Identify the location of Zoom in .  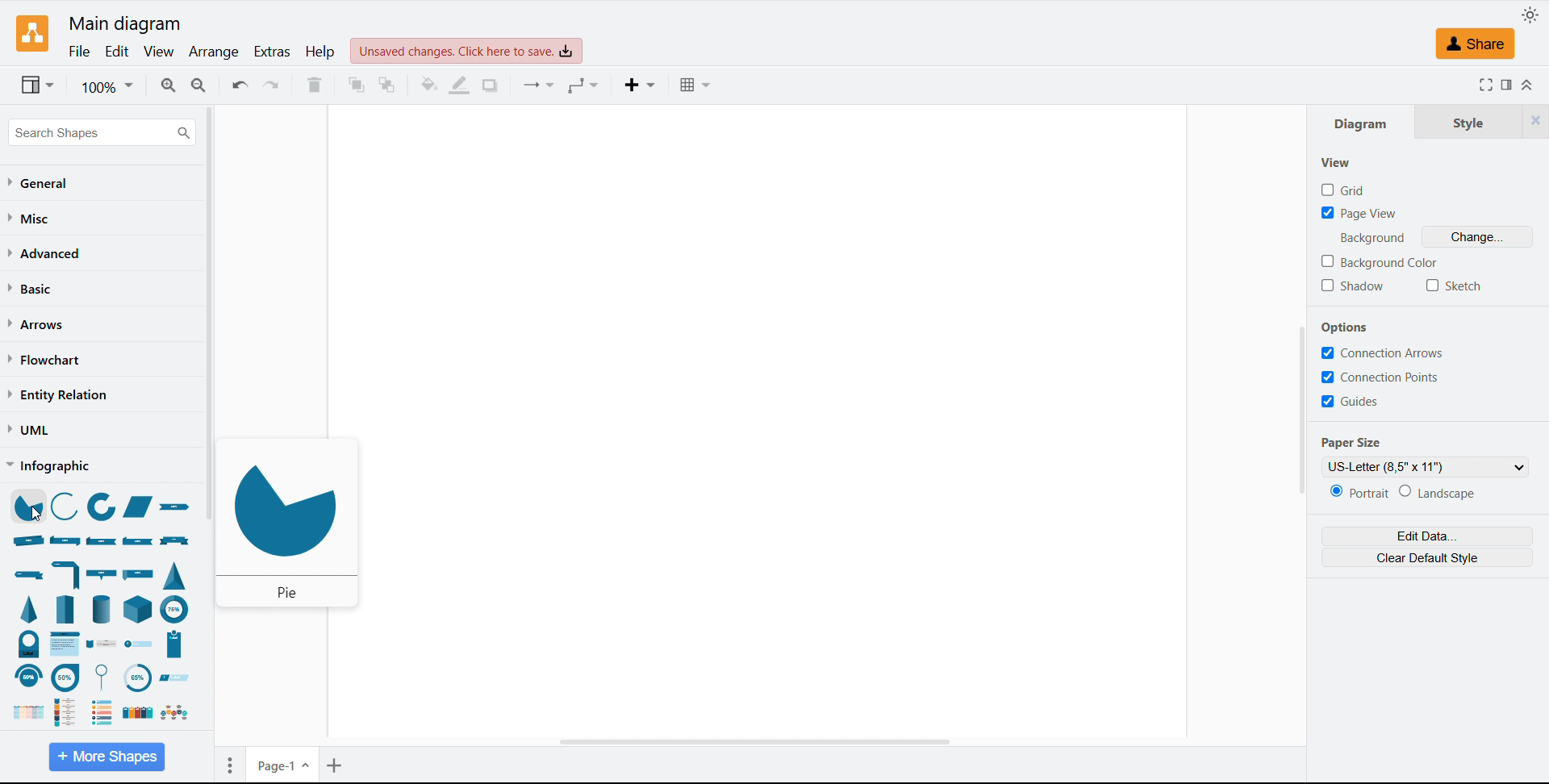
(168, 84).